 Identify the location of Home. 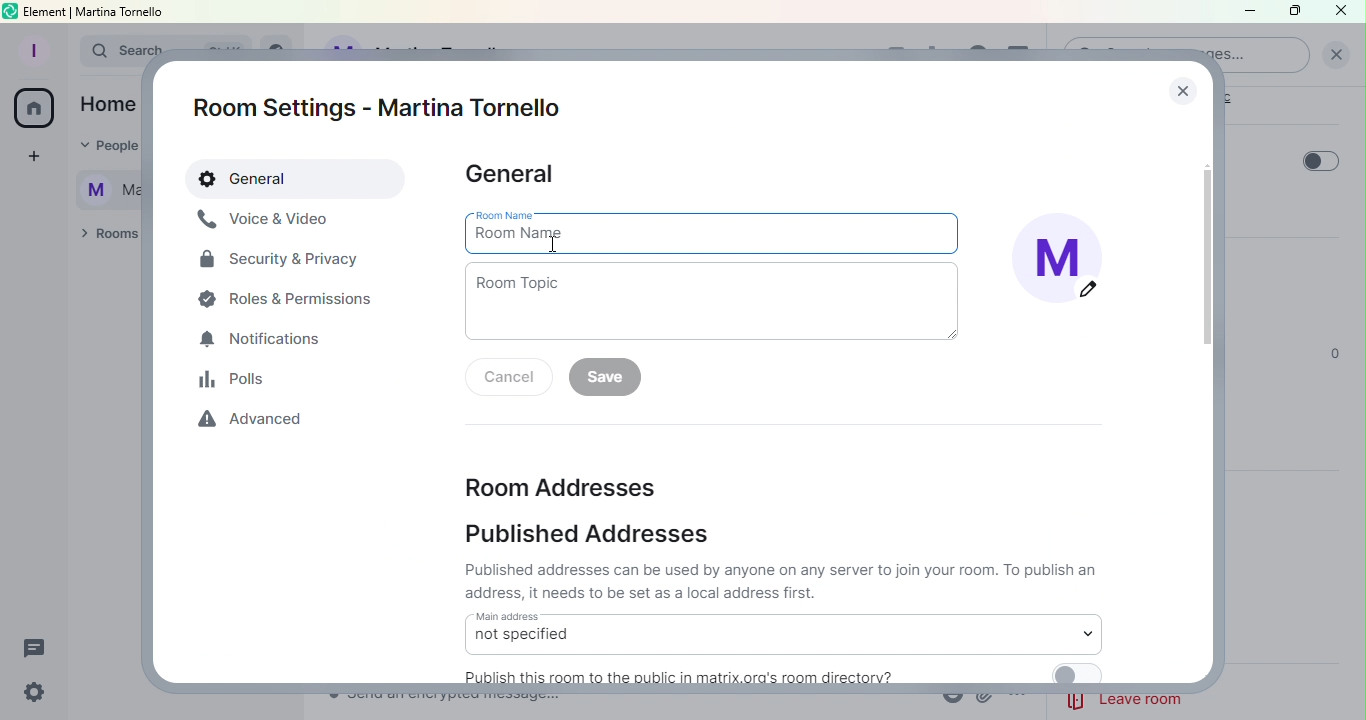
(34, 111).